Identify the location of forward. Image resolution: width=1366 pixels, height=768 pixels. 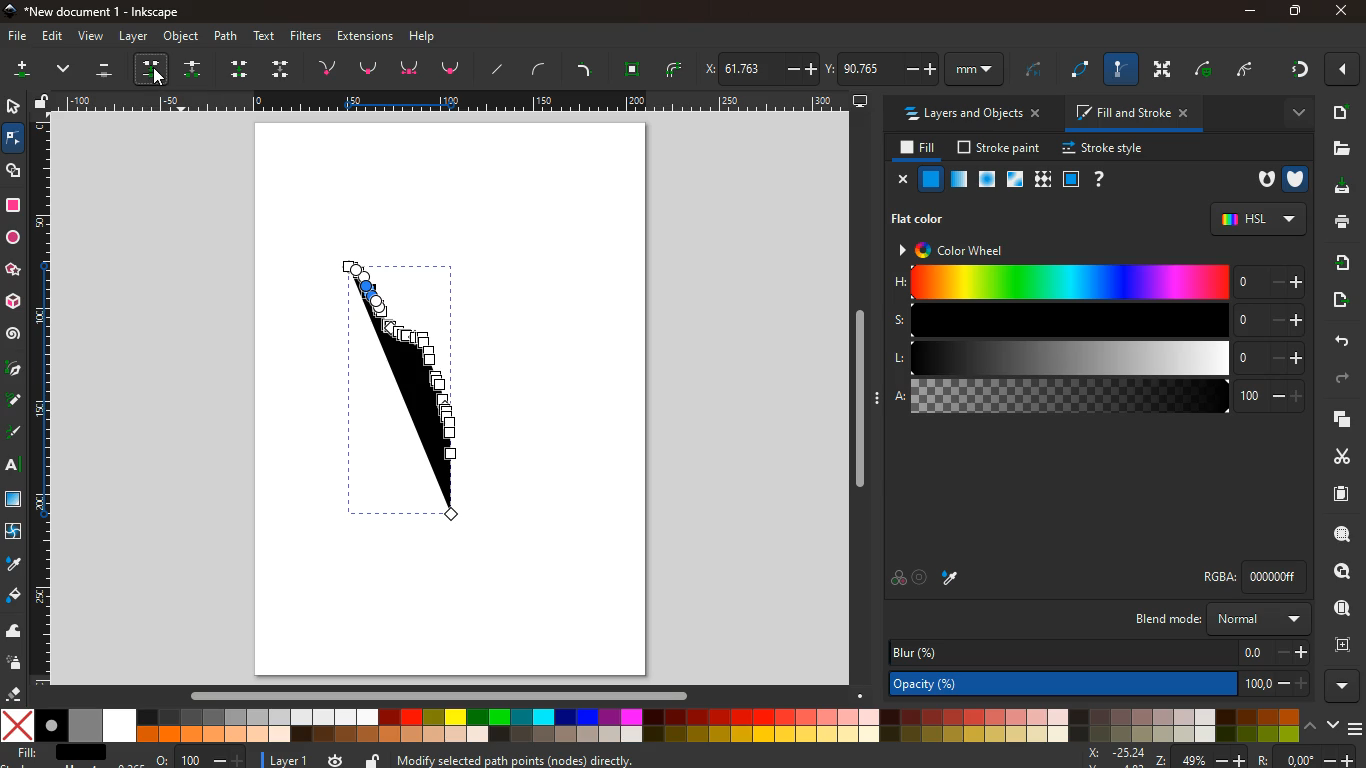
(1343, 381).